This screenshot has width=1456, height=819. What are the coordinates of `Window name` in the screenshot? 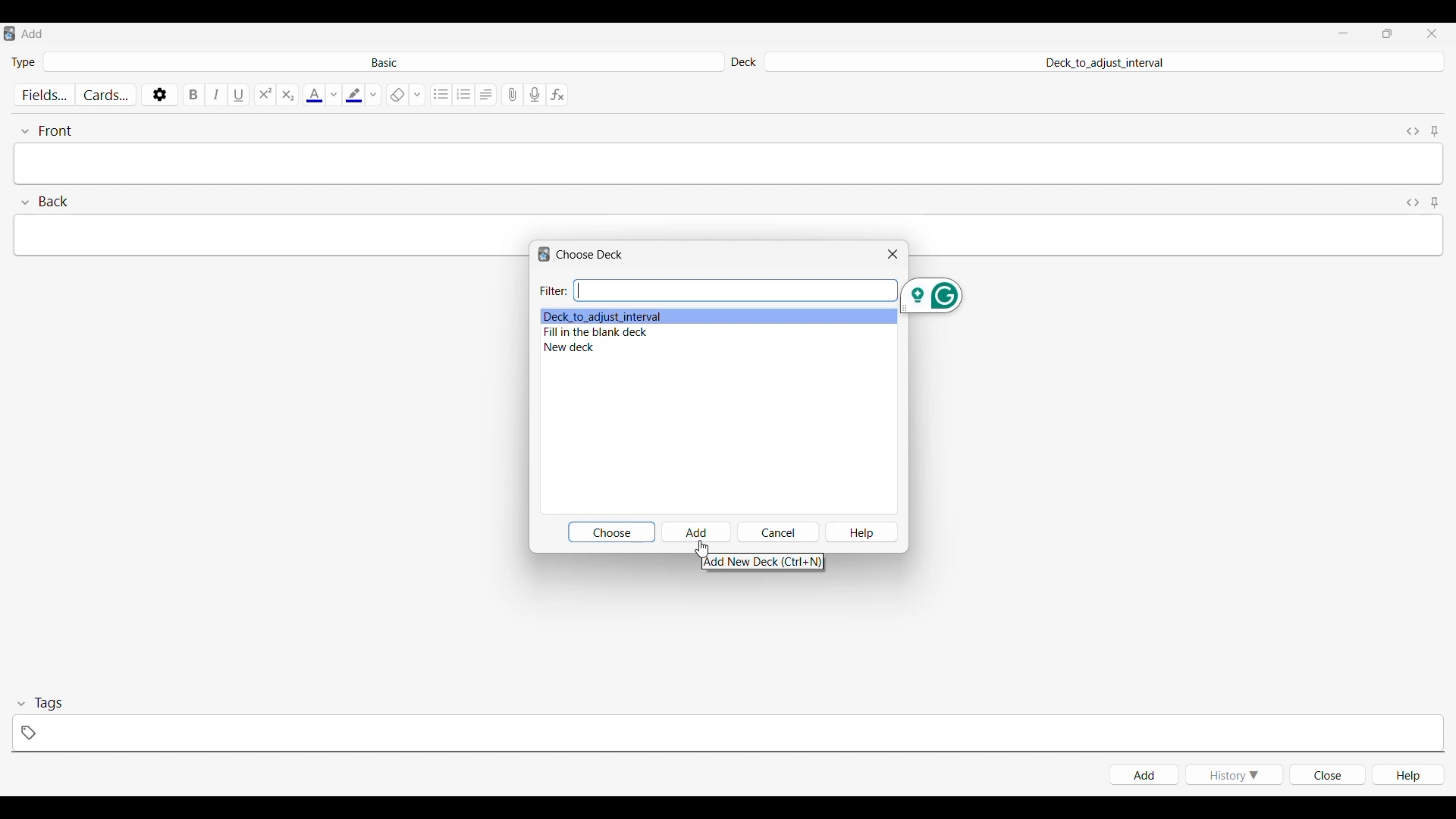 It's located at (590, 255).